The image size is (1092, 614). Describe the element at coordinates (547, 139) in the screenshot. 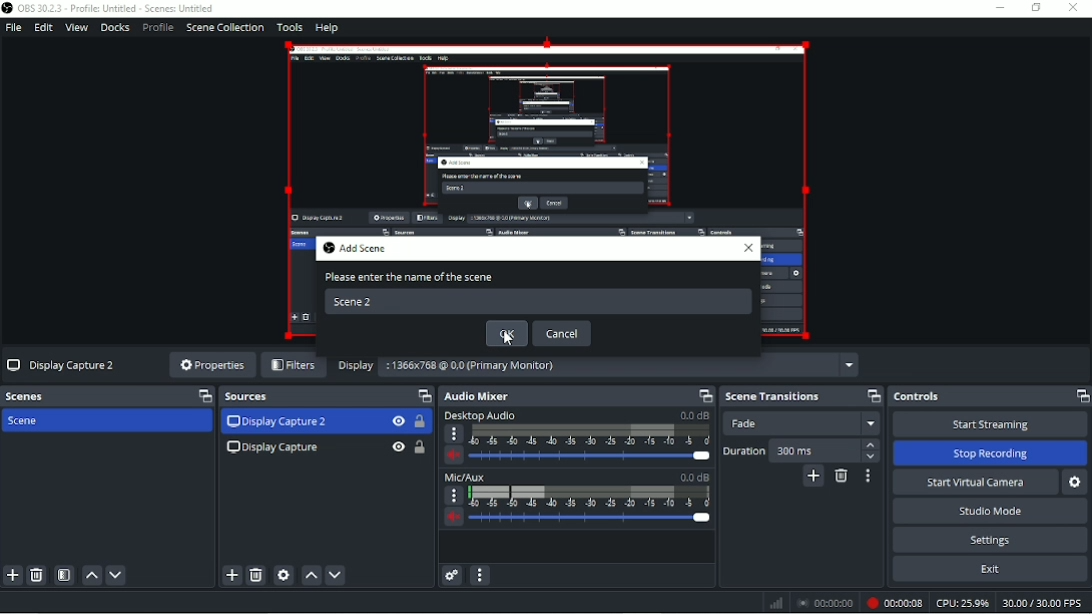

I see `Video` at that location.